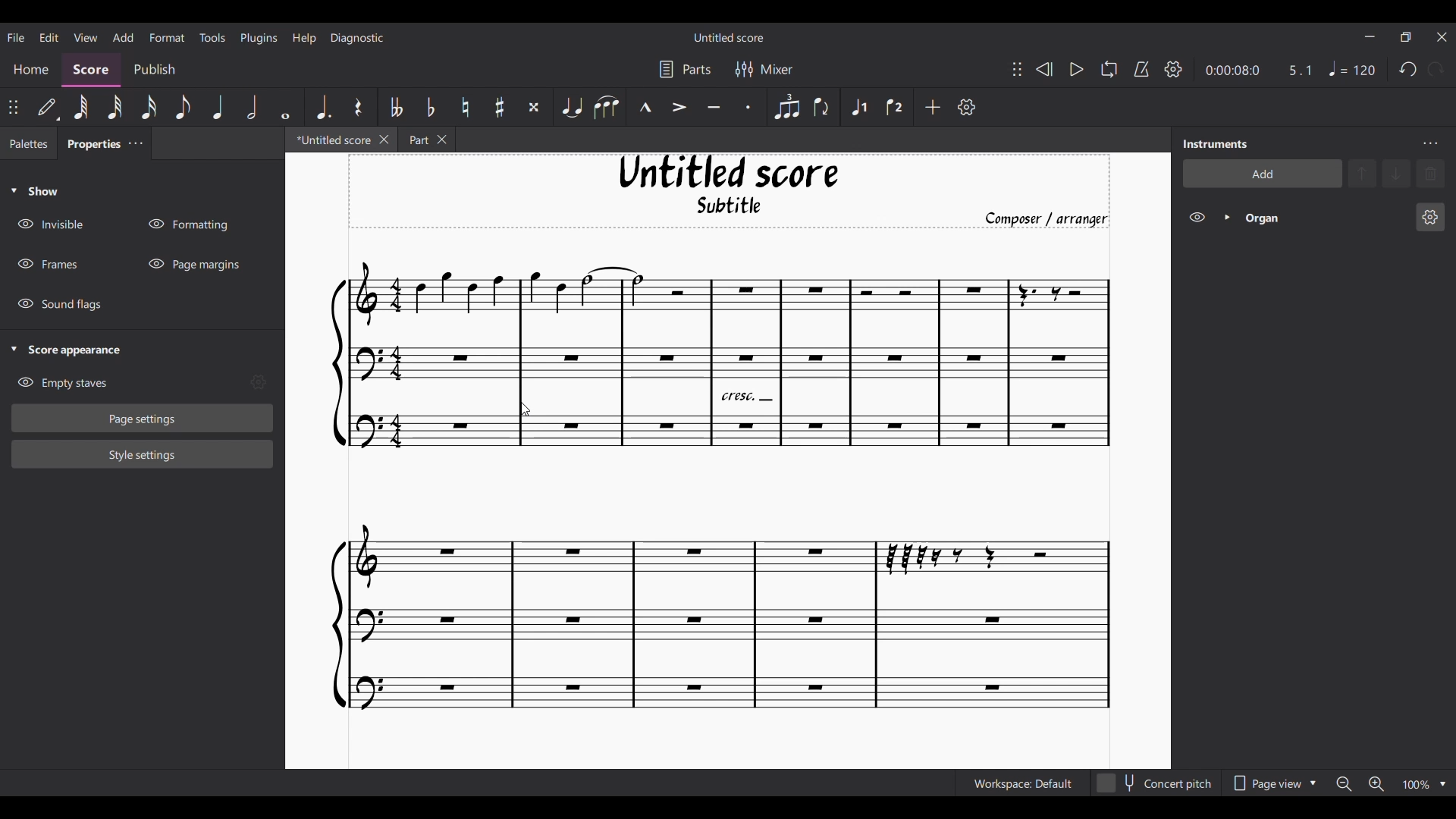 The image size is (1456, 819). What do you see at coordinates (32, 69) in the screenshot?
I see `Home section` at bounding box center [32, 69].